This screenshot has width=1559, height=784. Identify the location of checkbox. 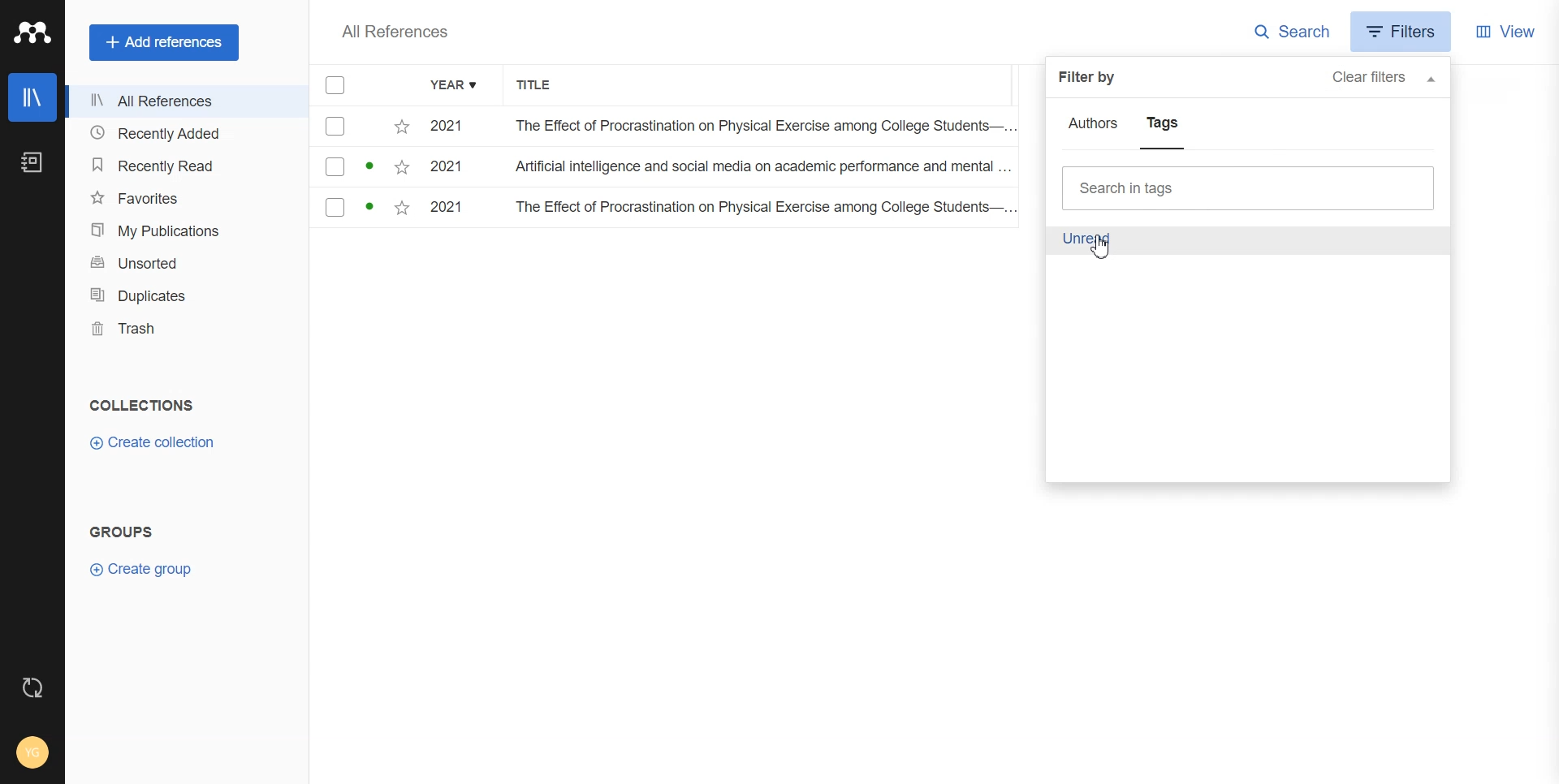
(362, 210).